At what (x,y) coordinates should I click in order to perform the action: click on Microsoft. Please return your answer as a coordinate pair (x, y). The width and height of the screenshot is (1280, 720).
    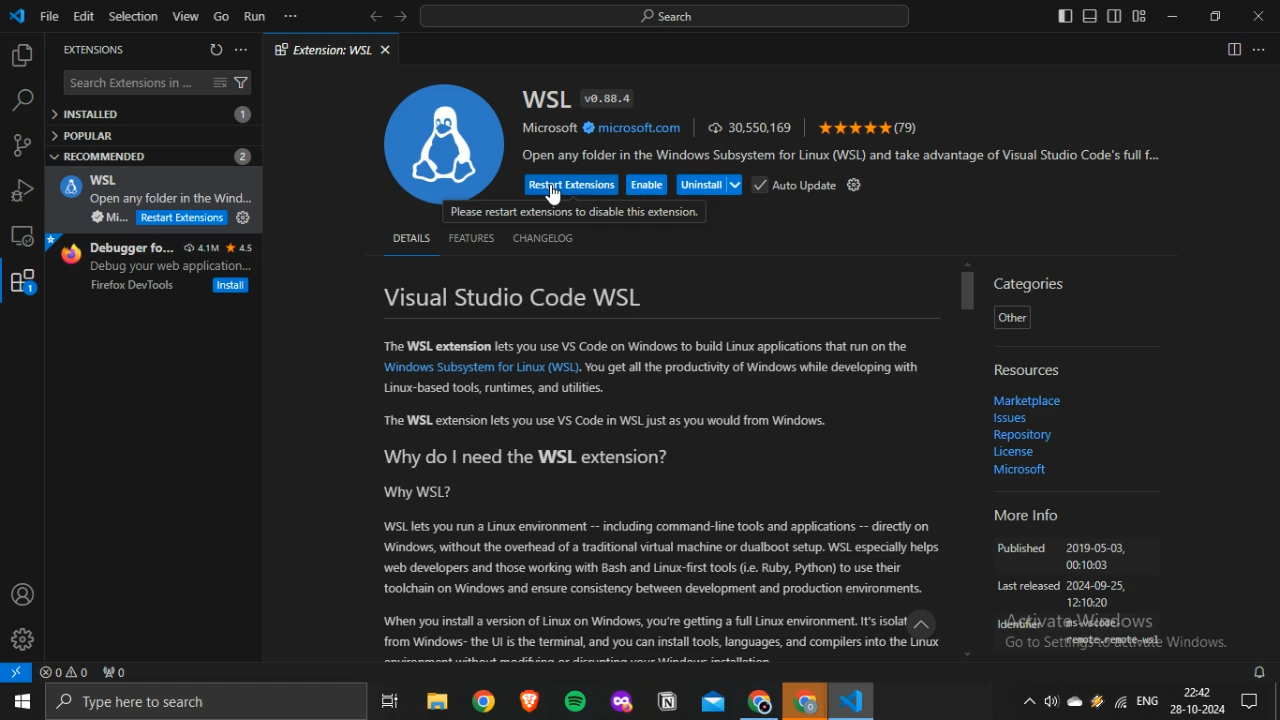
    Looking at the image, I should click on (1020, 468).